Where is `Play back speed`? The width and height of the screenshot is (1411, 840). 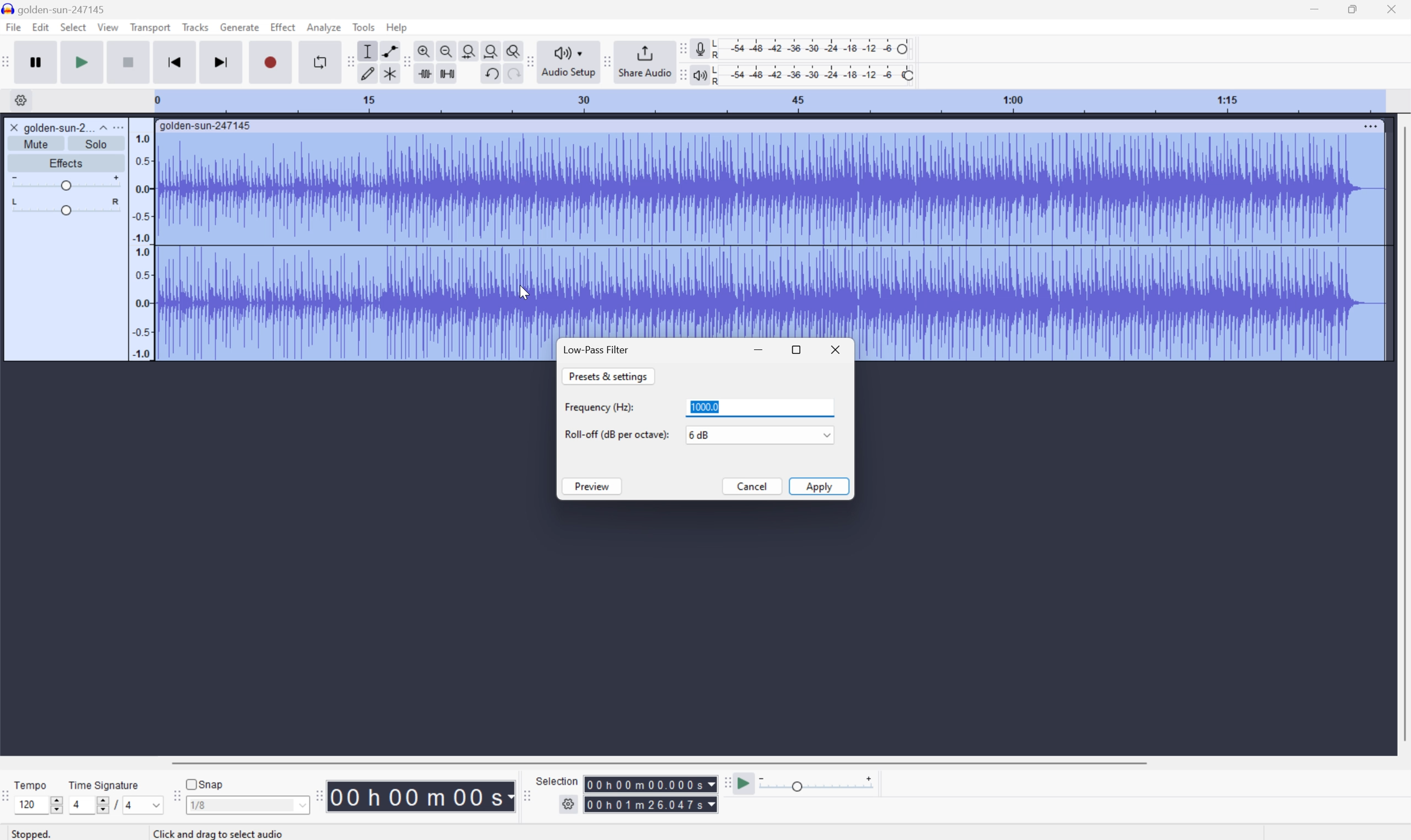 Play back speed is located at coordinates (820, 783).